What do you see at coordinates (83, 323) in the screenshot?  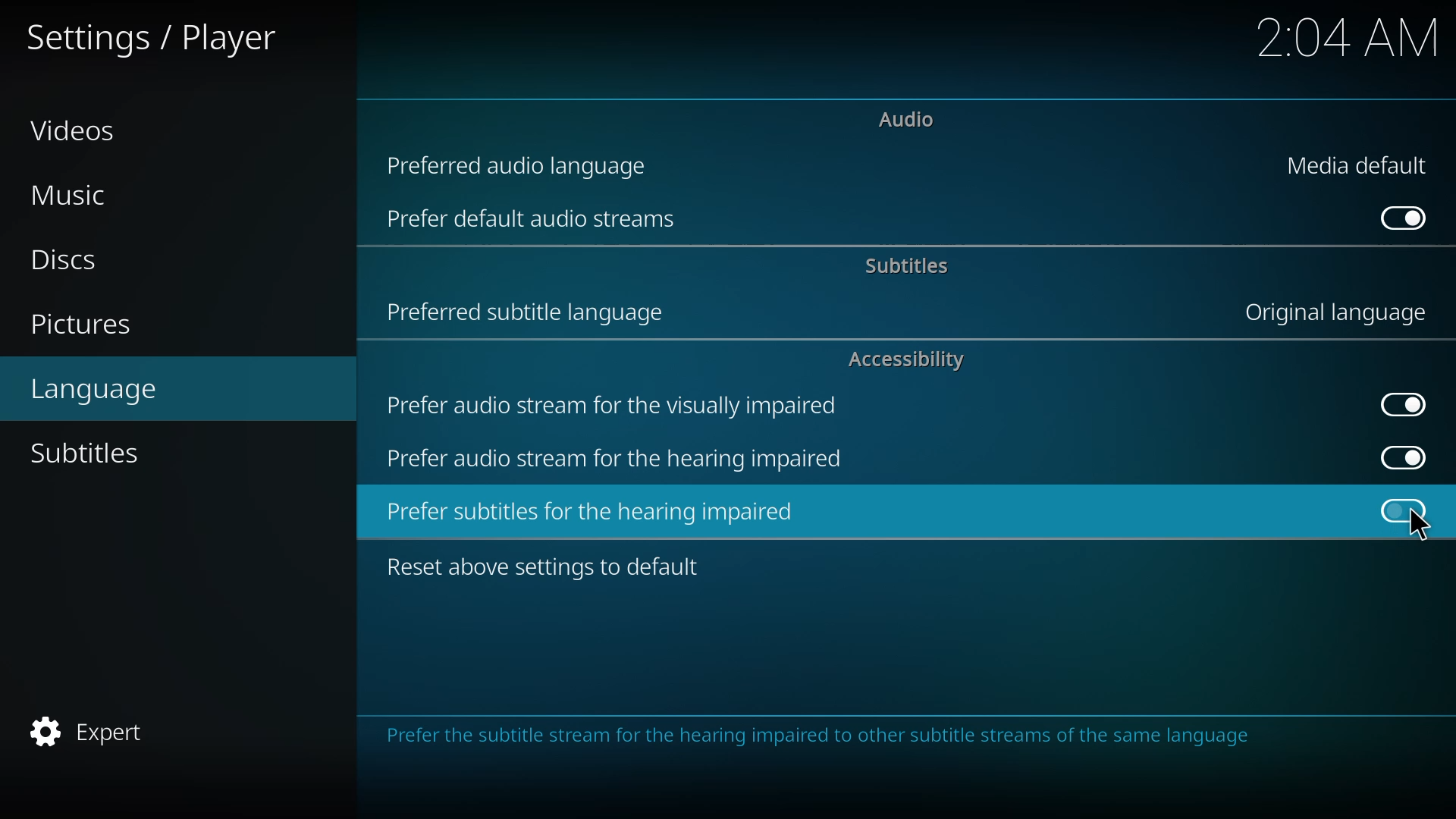 I see `pictures` at bounding box center [83, 323].